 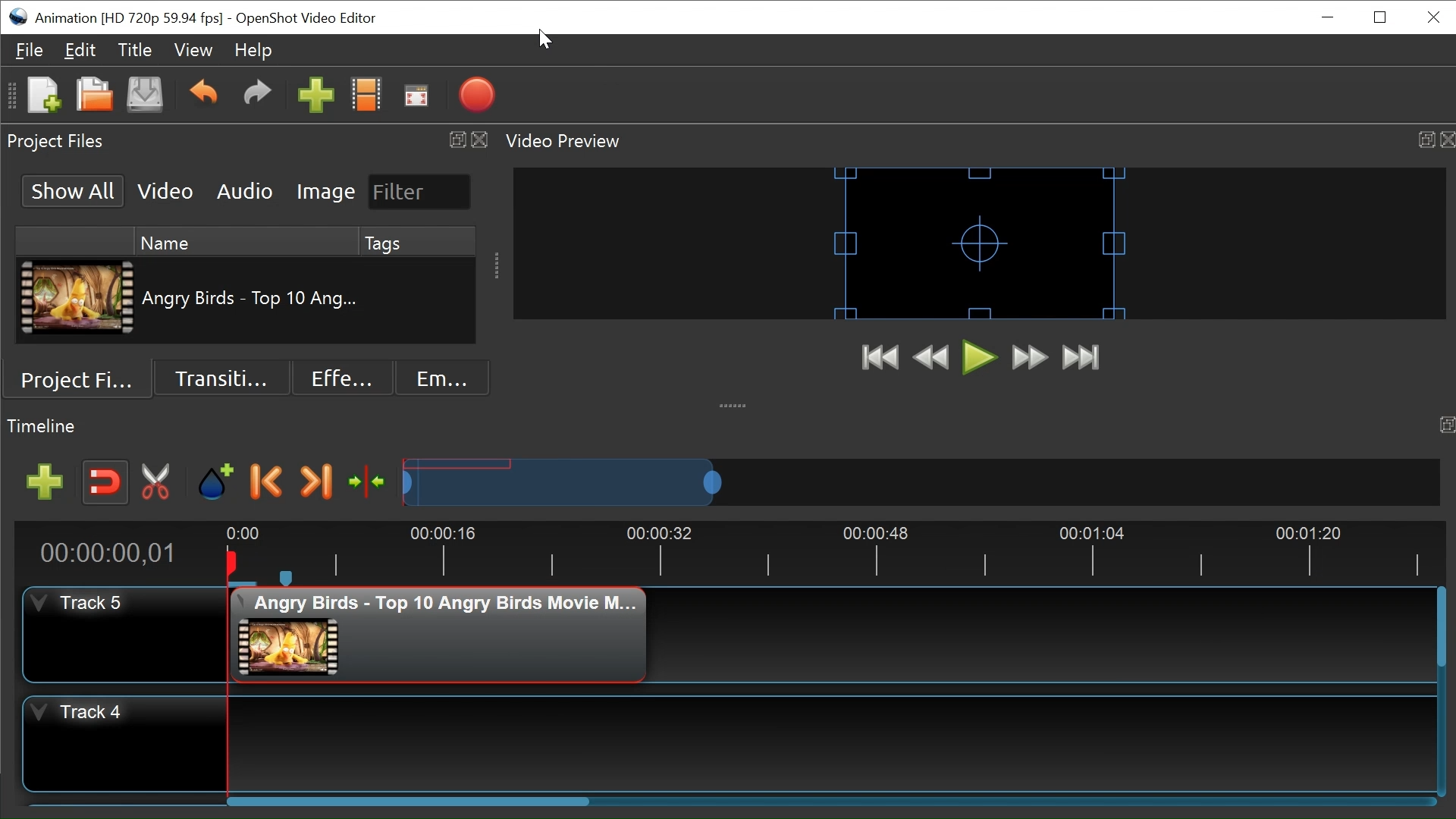 What do you see at coordinates (124, 635) in the screenshot?
I see `Track Header` at bounding box center [124, 635].